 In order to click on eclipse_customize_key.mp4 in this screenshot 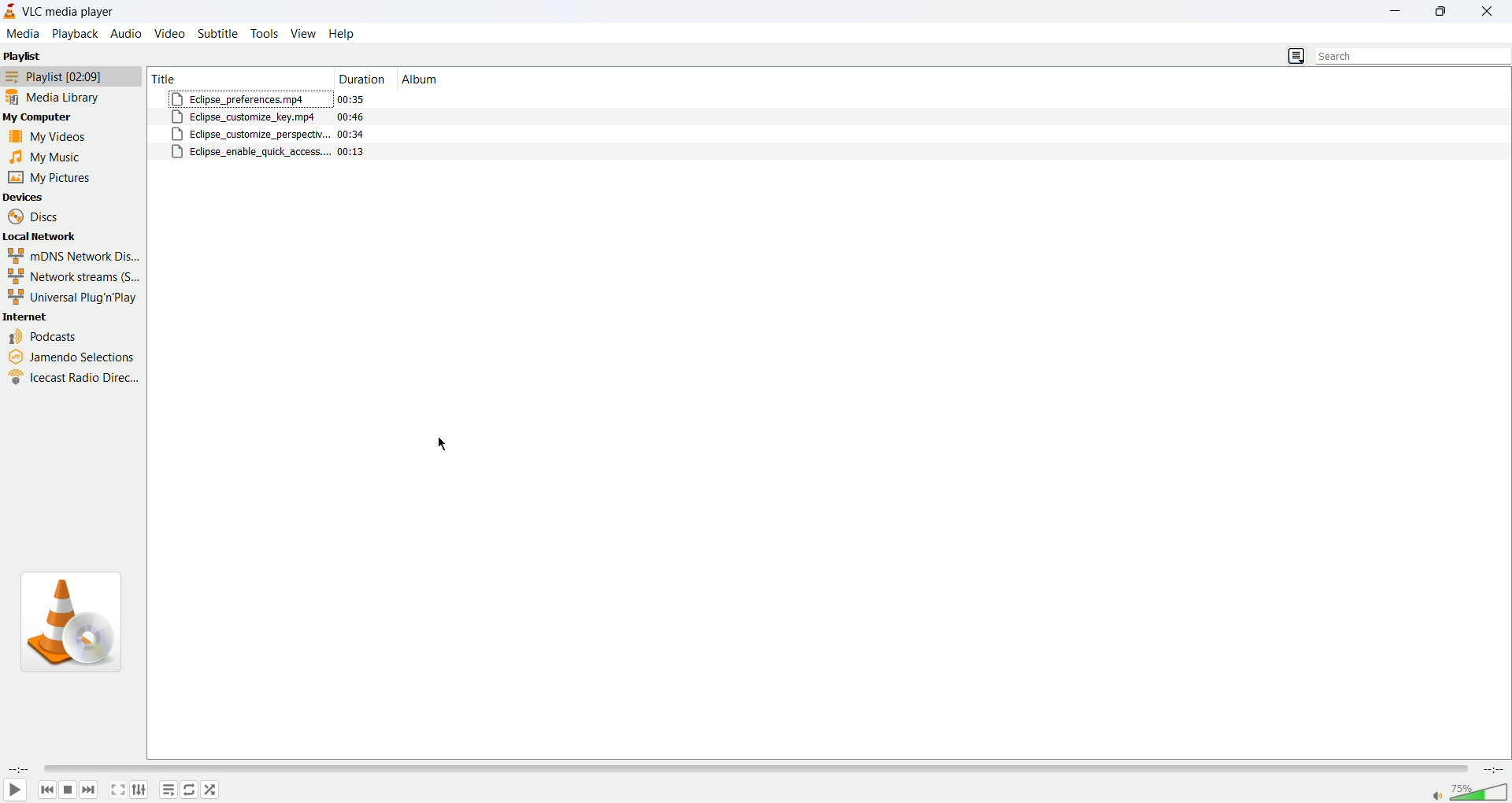, I will do `click(247, 117)`.